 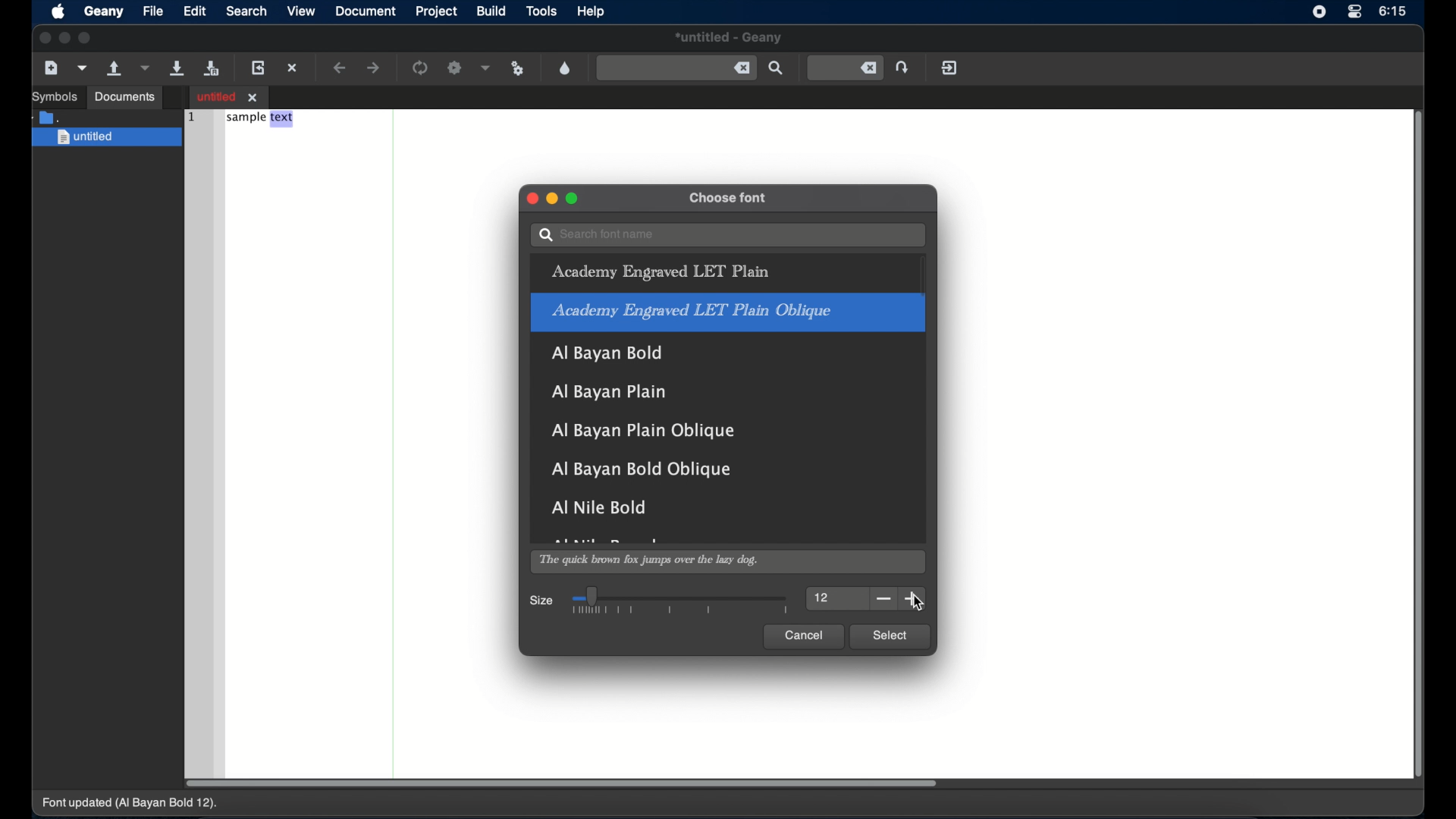 What do you see at coordinates (108, 138) in the screenshot?
I see `untitled` at bounding box center [108, 138].